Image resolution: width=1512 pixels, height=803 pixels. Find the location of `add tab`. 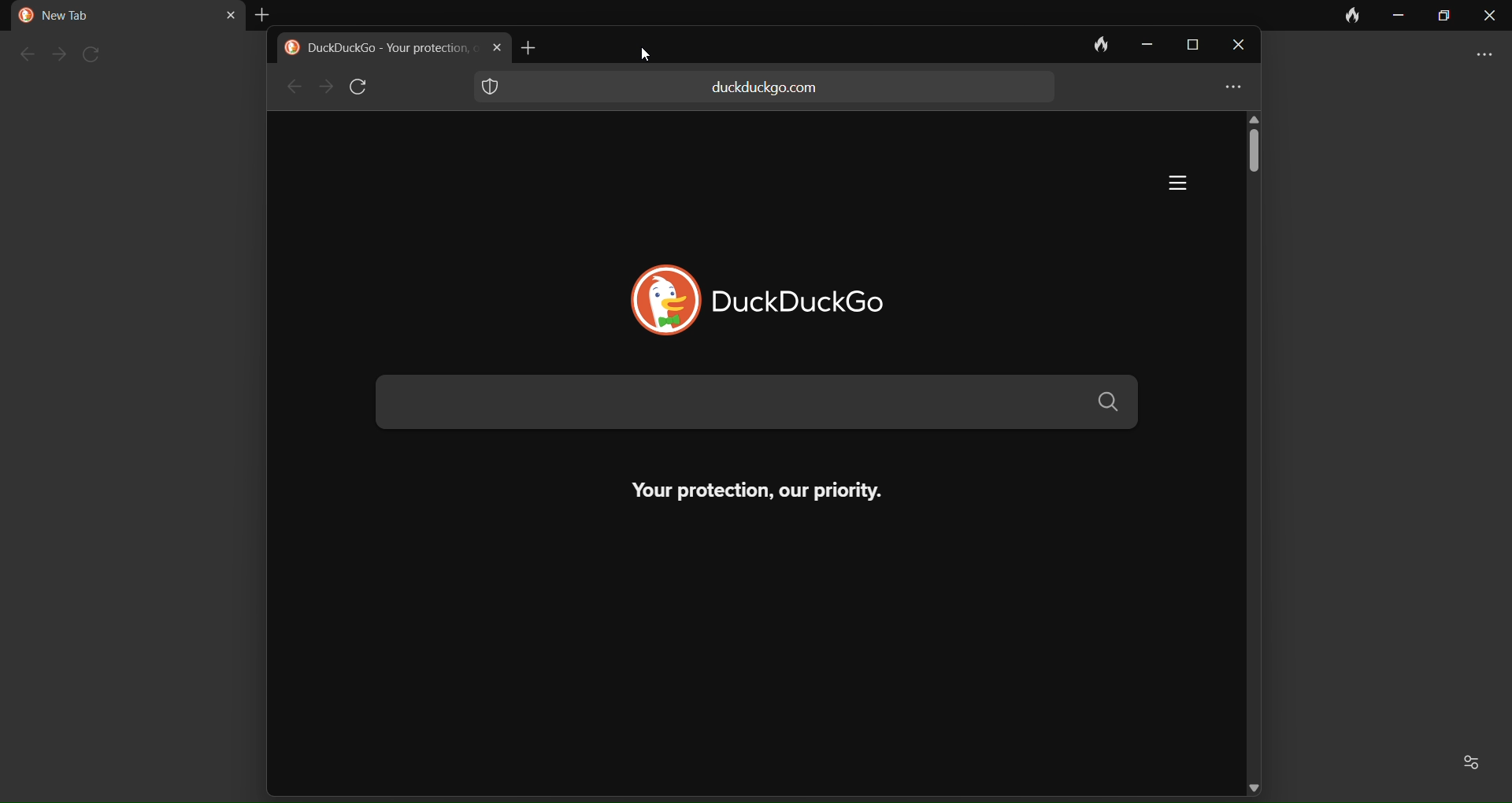

add tab is located at coordinates (265, 13).